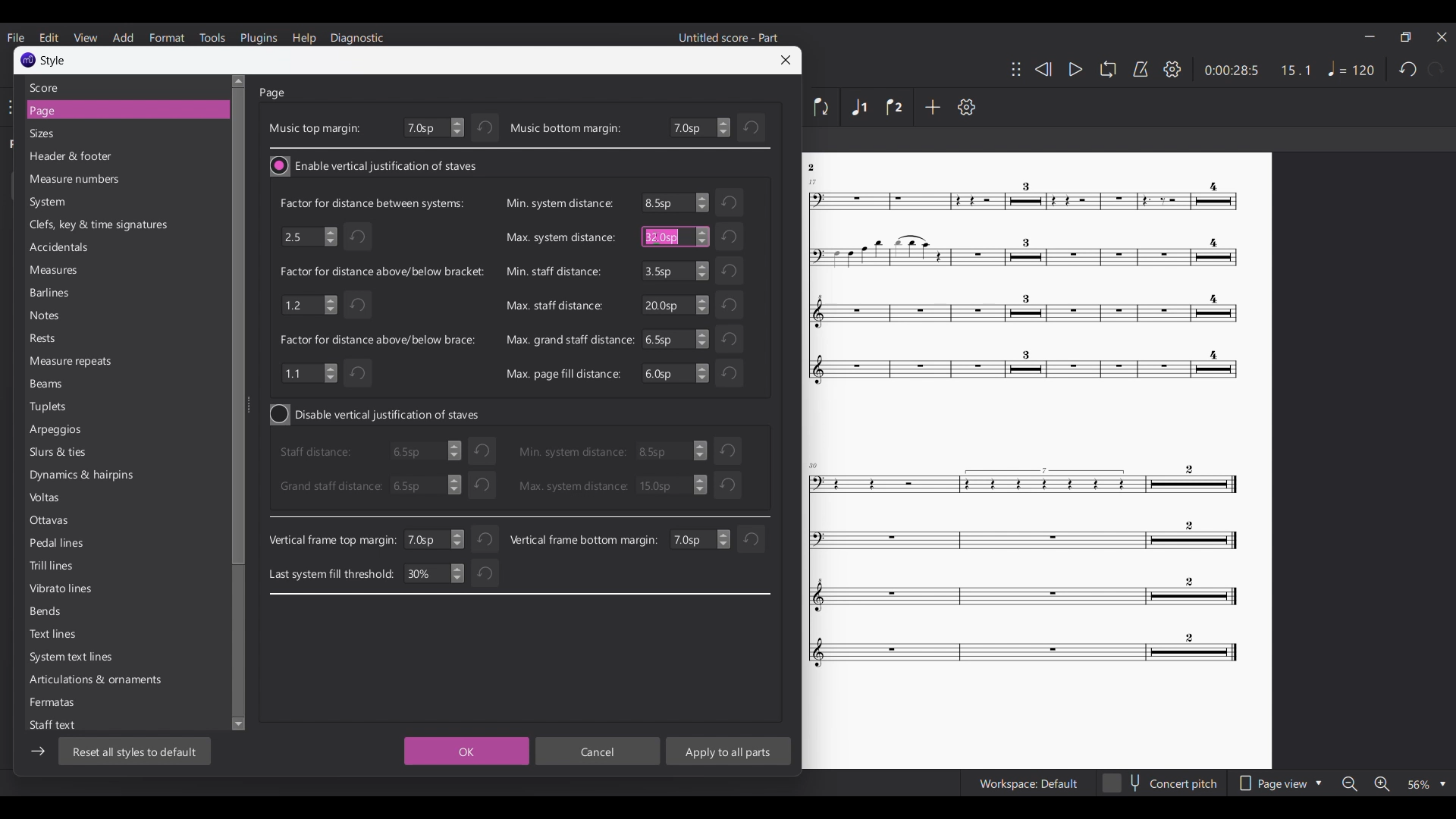  What do you see at coordinates (485, 128) in the screenshot?
I see `Undo` at bounding box center [485, 128].